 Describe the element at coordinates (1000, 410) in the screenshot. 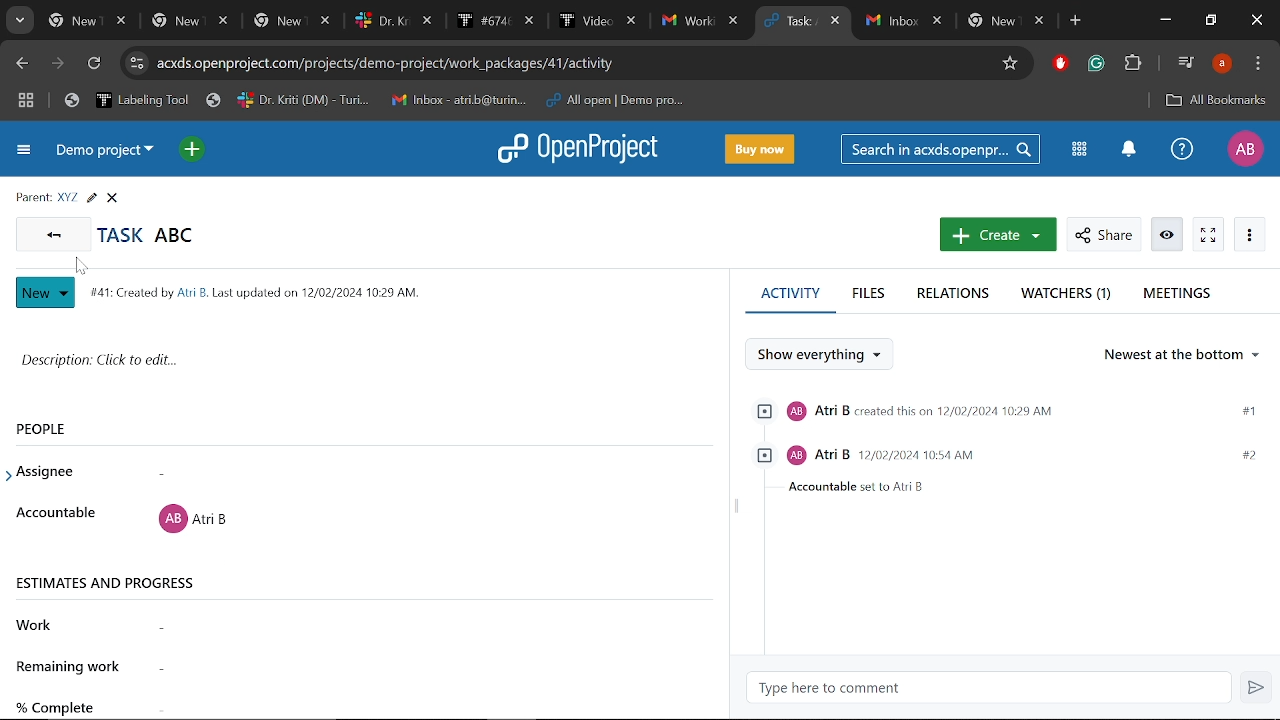

I see `Atri B created this` at that location.